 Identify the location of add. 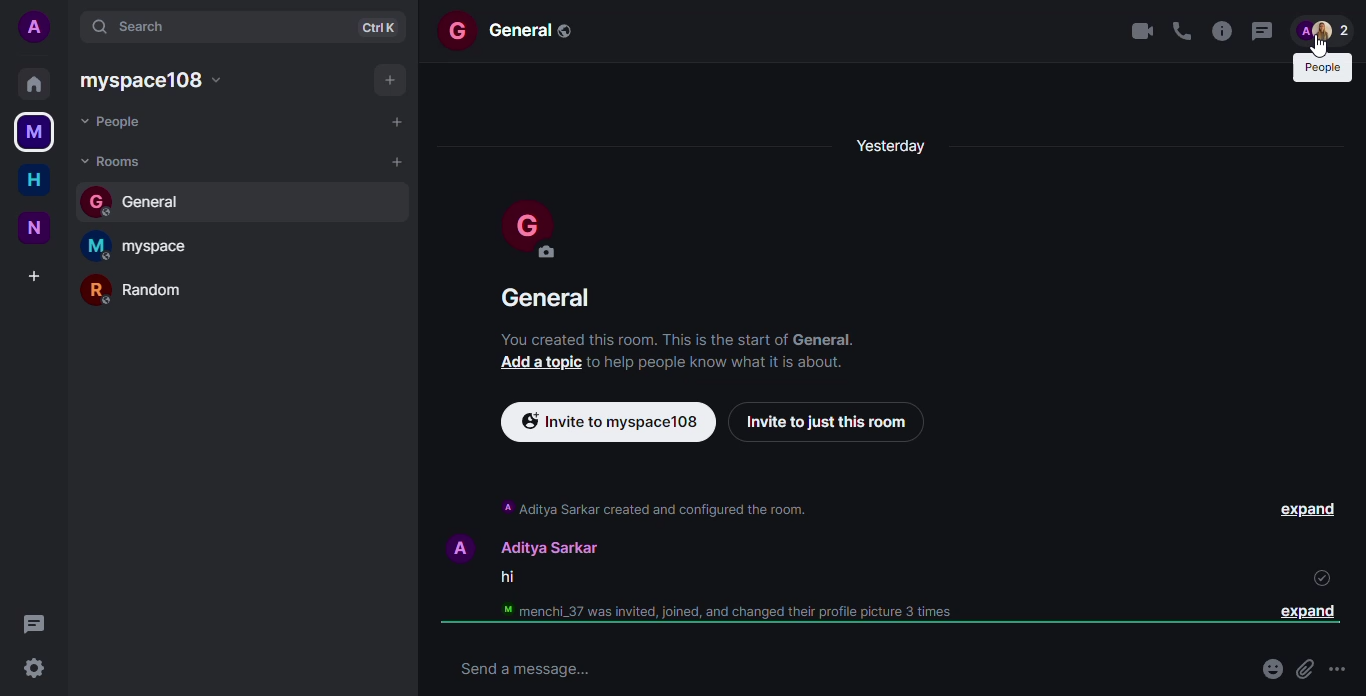
(404, 165).